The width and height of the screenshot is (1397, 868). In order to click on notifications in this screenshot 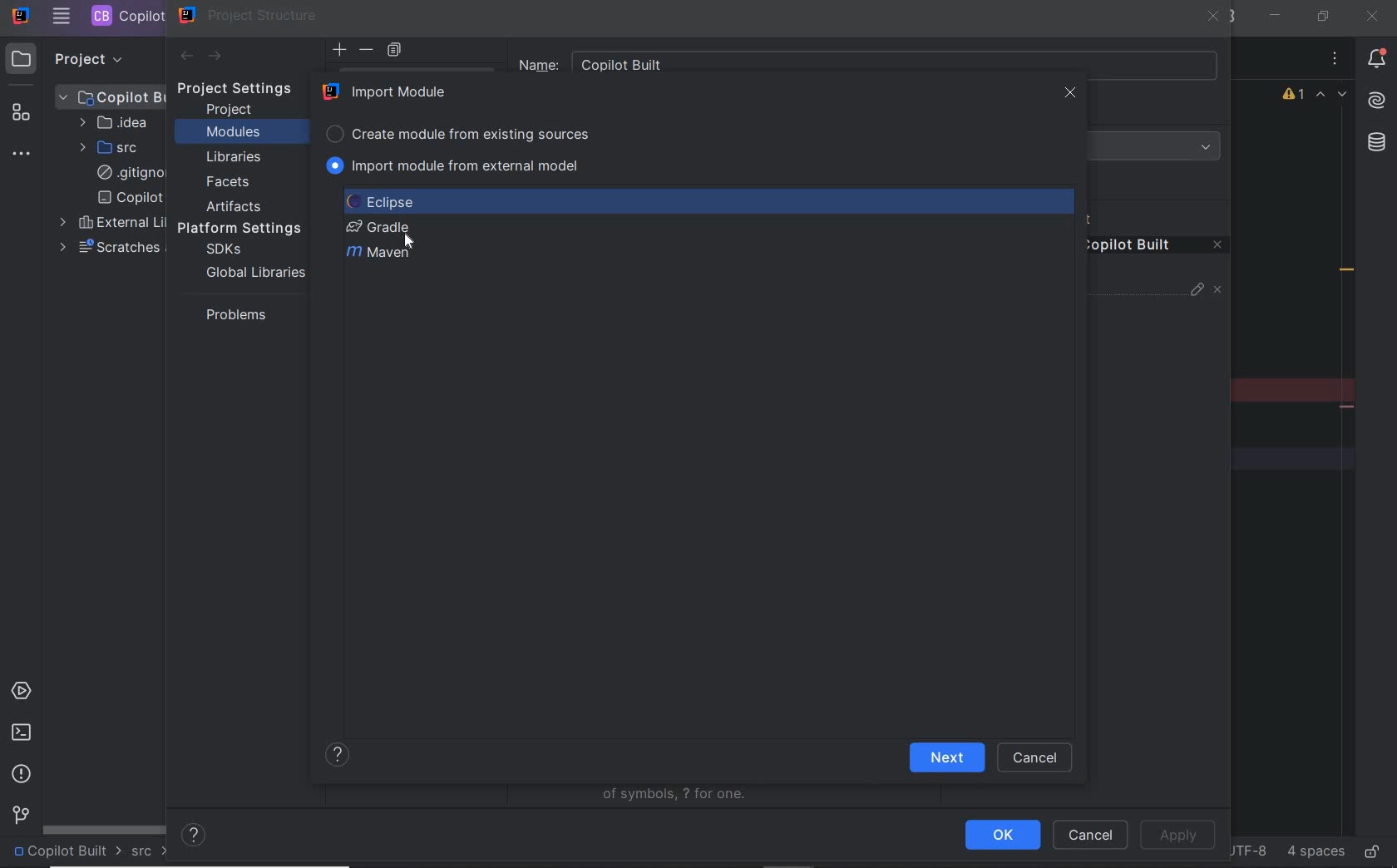, I will do `click(1377, 61)`.